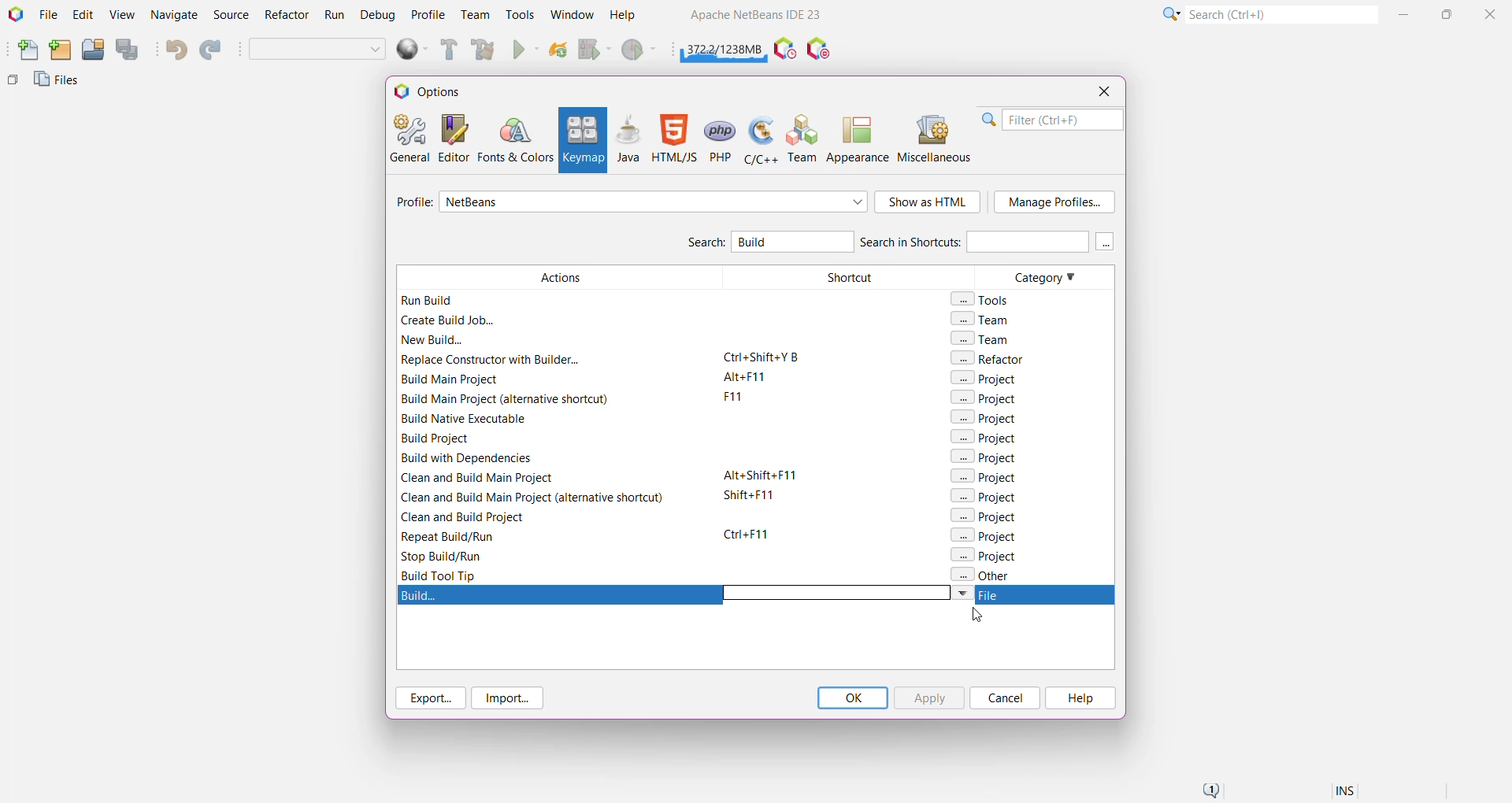  I want to click on Insert Mode, so click(1347, 793).